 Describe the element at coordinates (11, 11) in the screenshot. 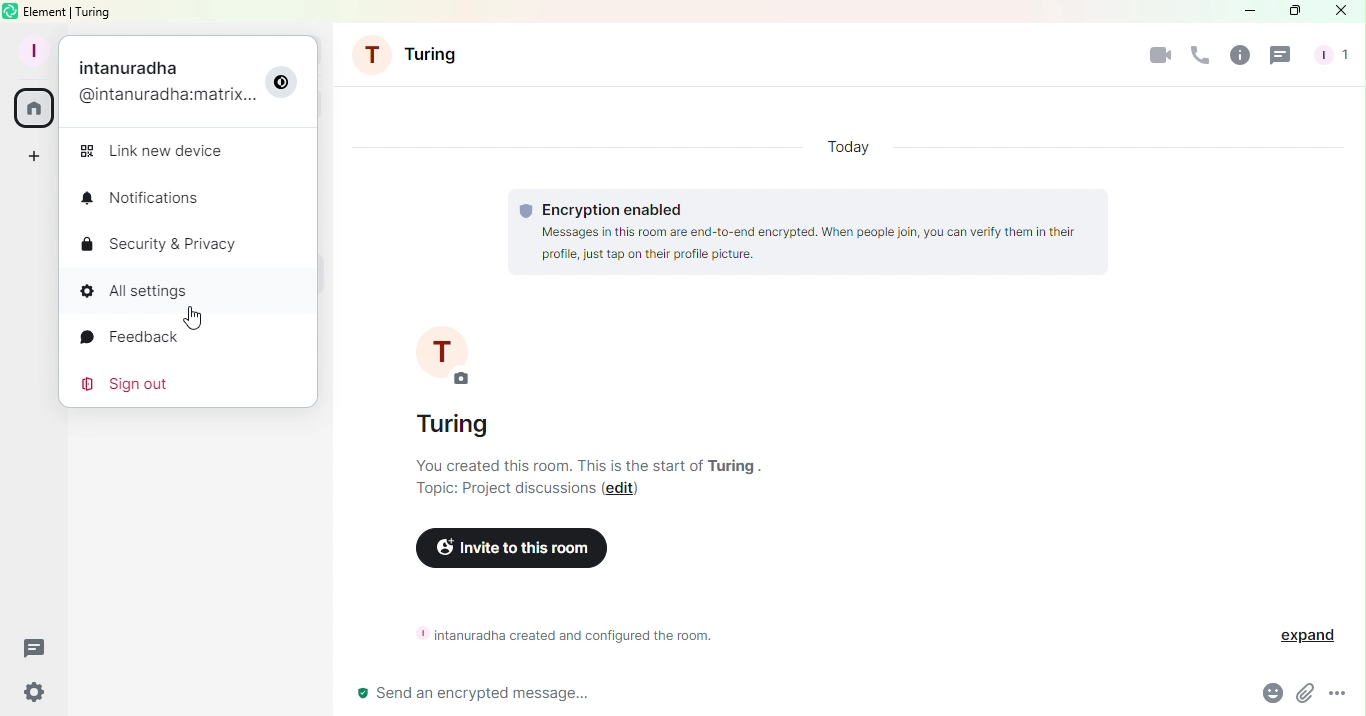

I see `element logo` at that location.